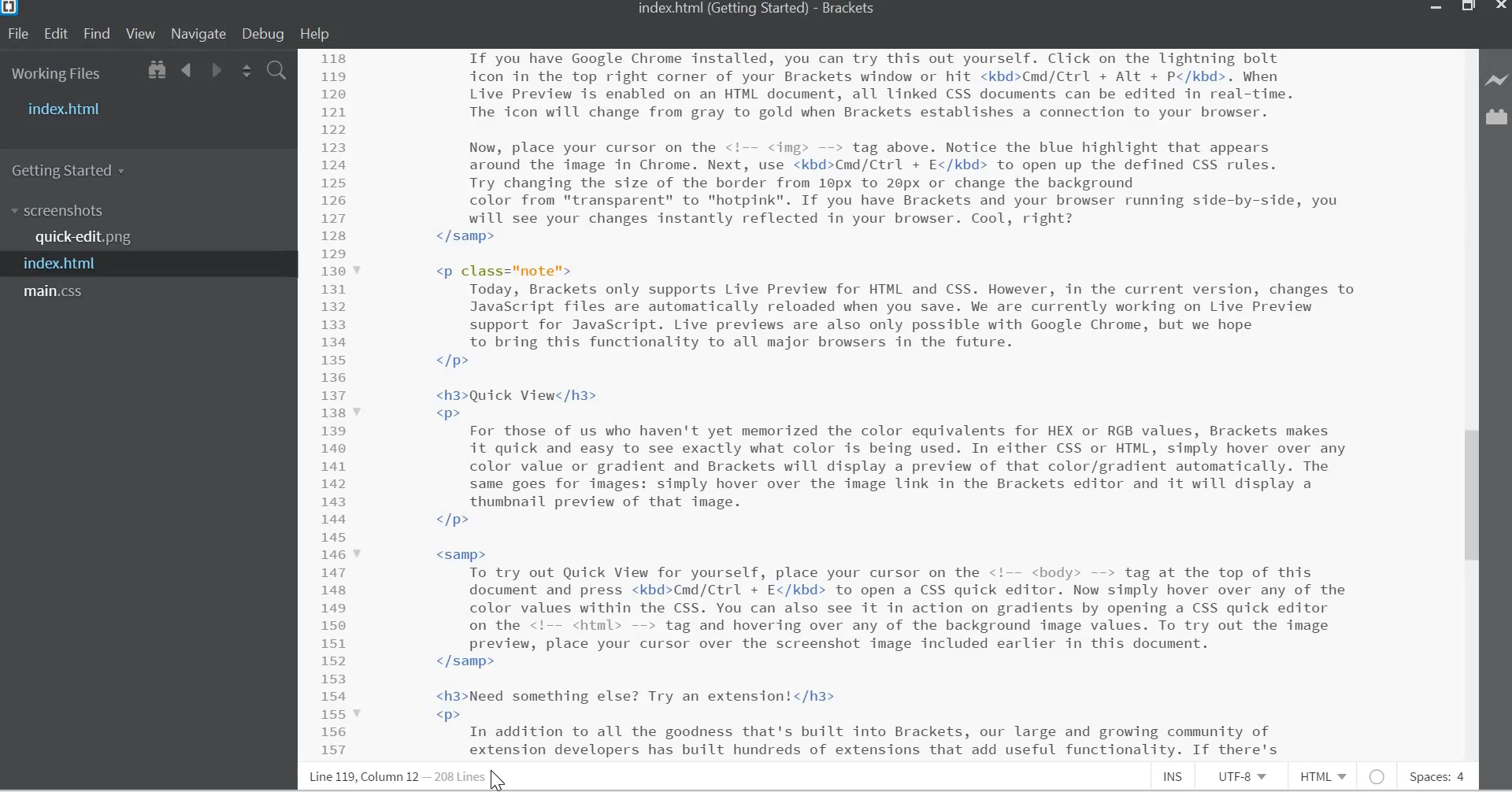 The height and width of the screenshot is (792, 1512). I want to click on View, so click(140, 35).